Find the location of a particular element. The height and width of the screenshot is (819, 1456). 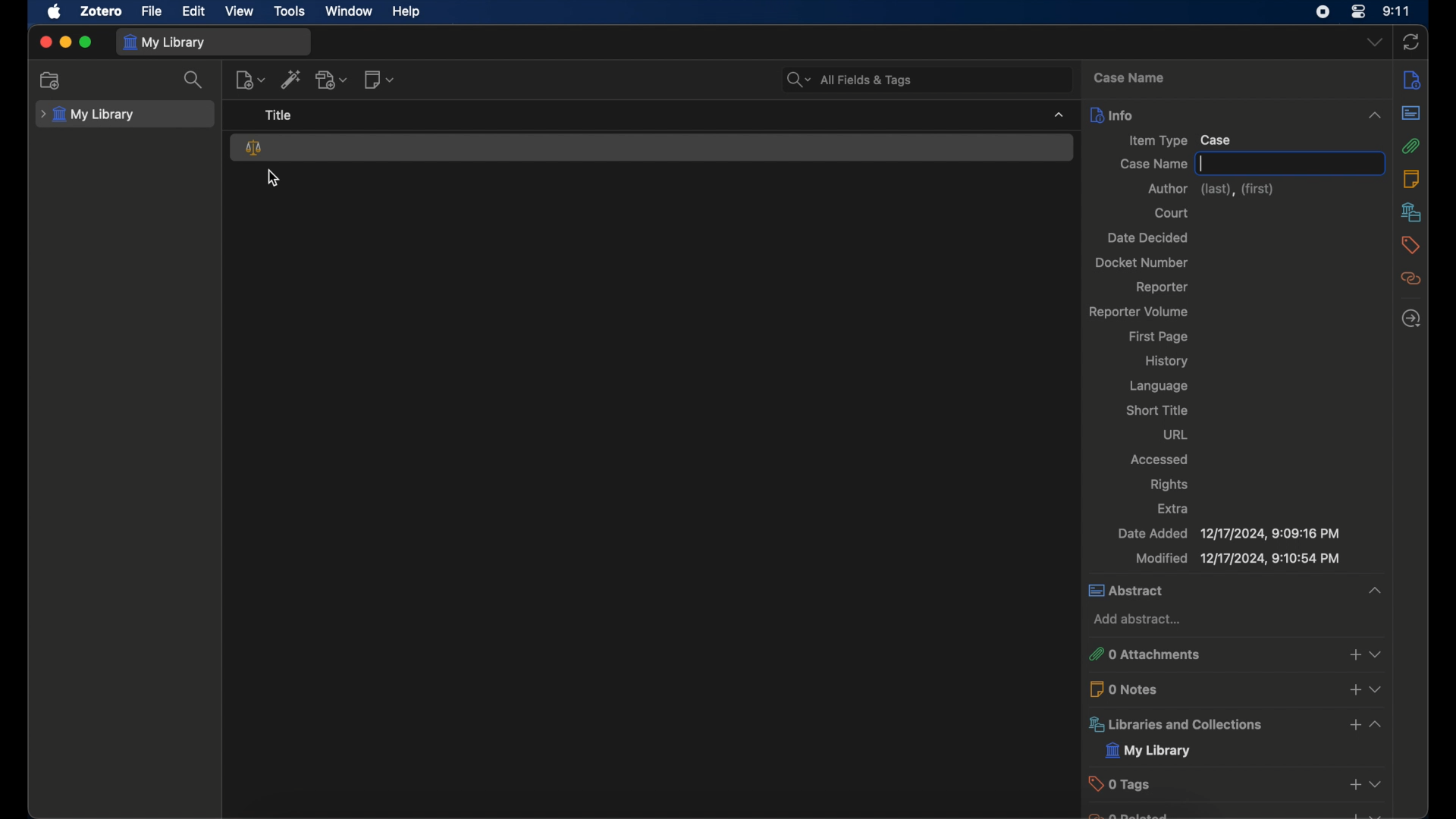

date added is located at coordinates (1227, 535).